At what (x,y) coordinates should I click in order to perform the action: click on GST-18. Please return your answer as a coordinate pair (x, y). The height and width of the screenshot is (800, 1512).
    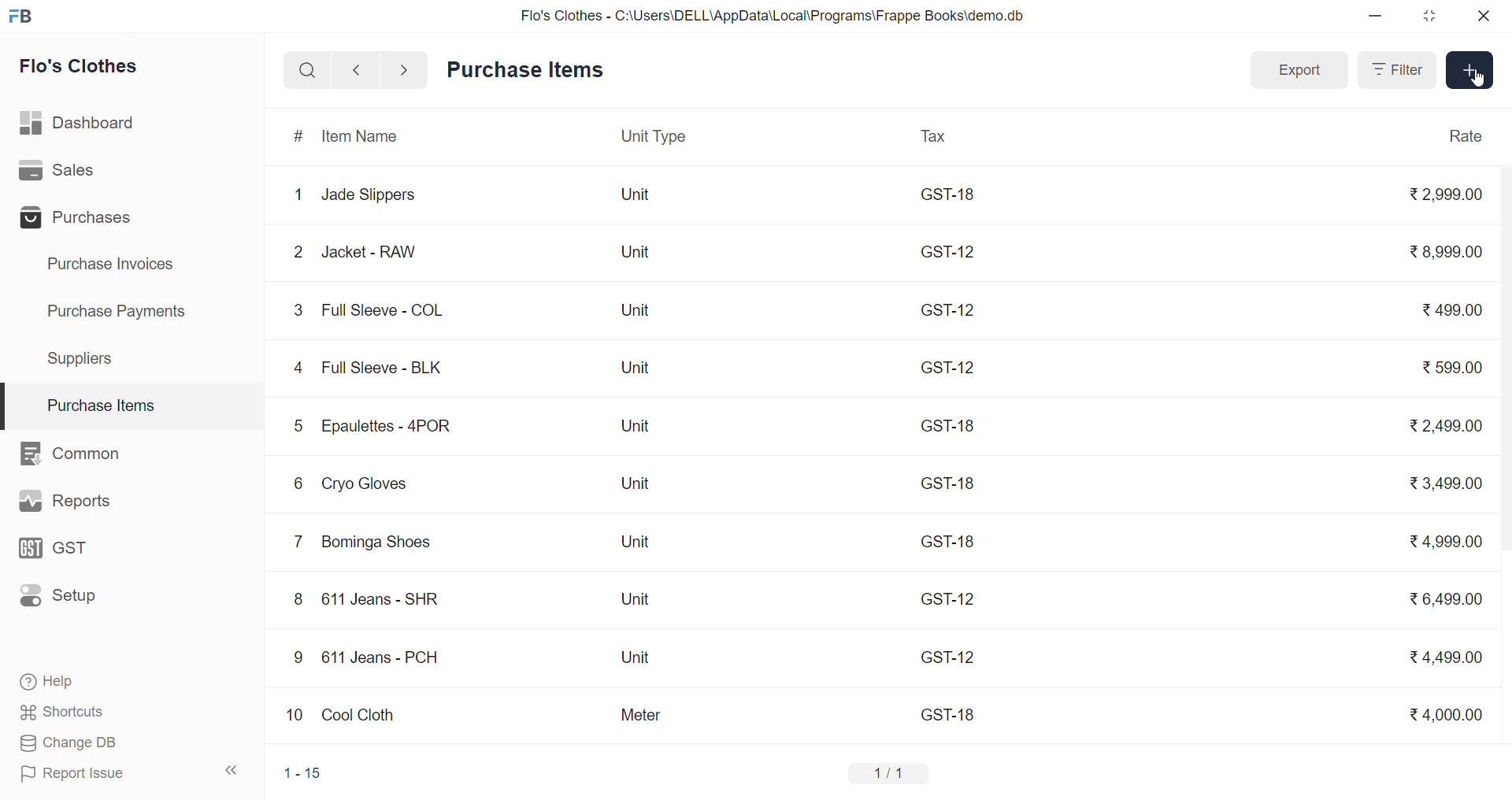
    Looking at the image, I should click on (948, 545).